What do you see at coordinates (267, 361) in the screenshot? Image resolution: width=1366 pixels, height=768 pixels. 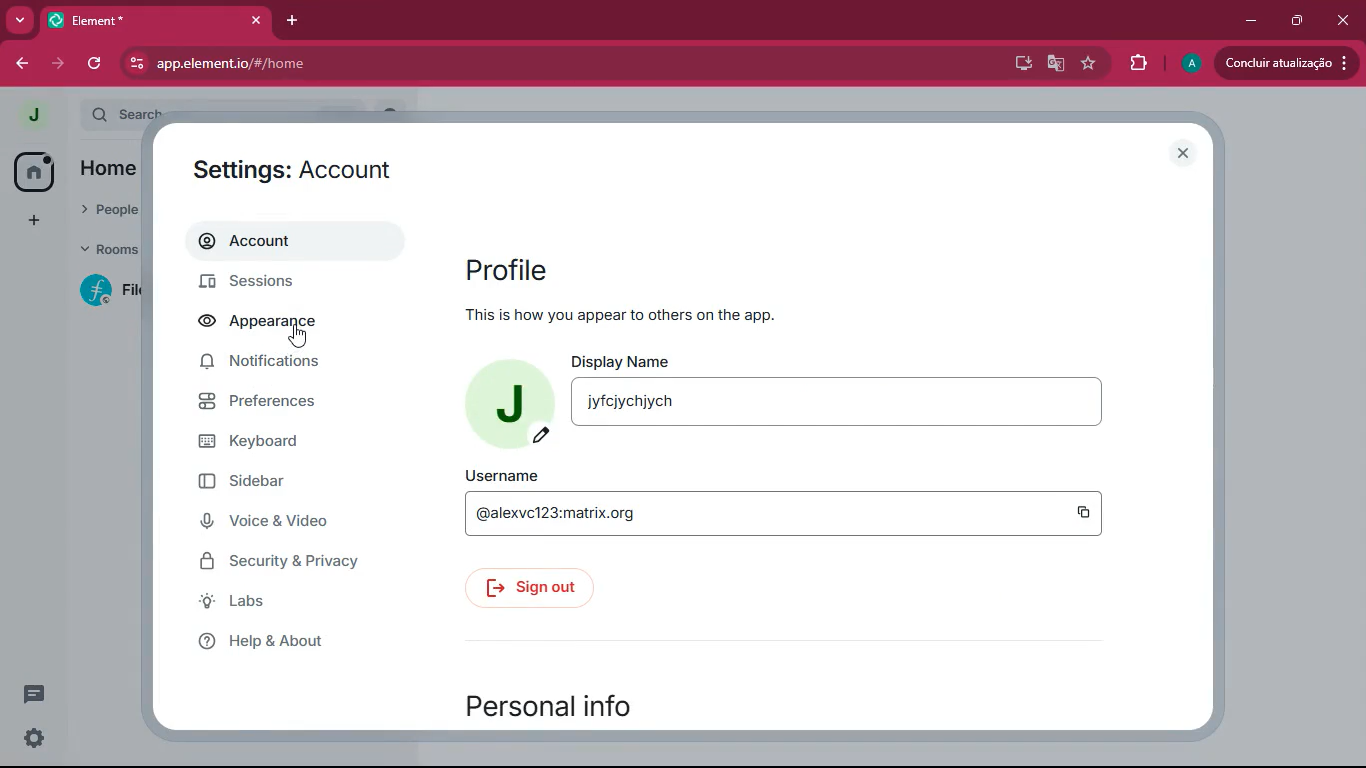 I see `Notifications` at bounding box center [267, 361].